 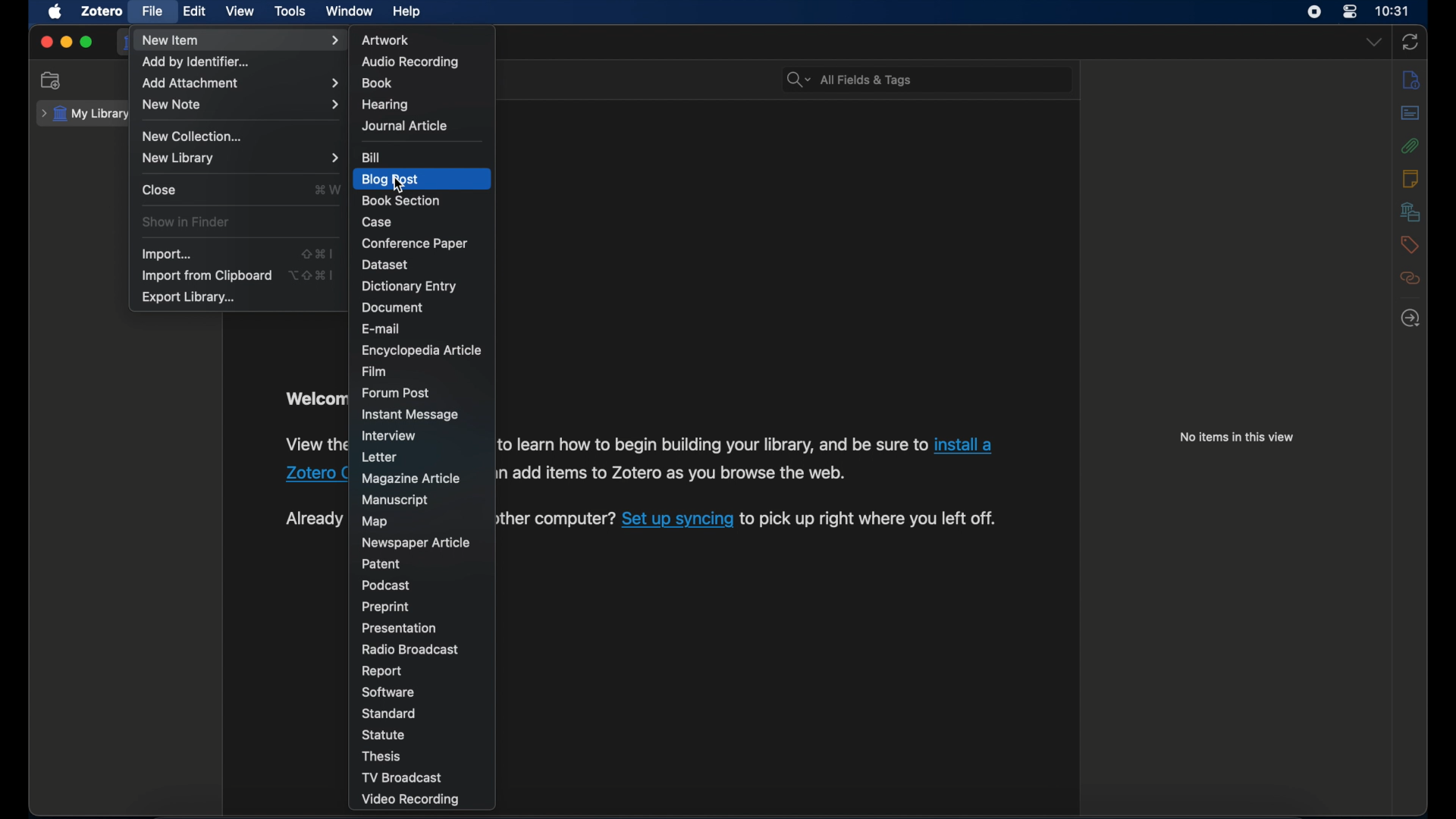 What do you see at coordinates (392, 180) in the screenshot?
I see `blog post` at bounding box center [392, 180].